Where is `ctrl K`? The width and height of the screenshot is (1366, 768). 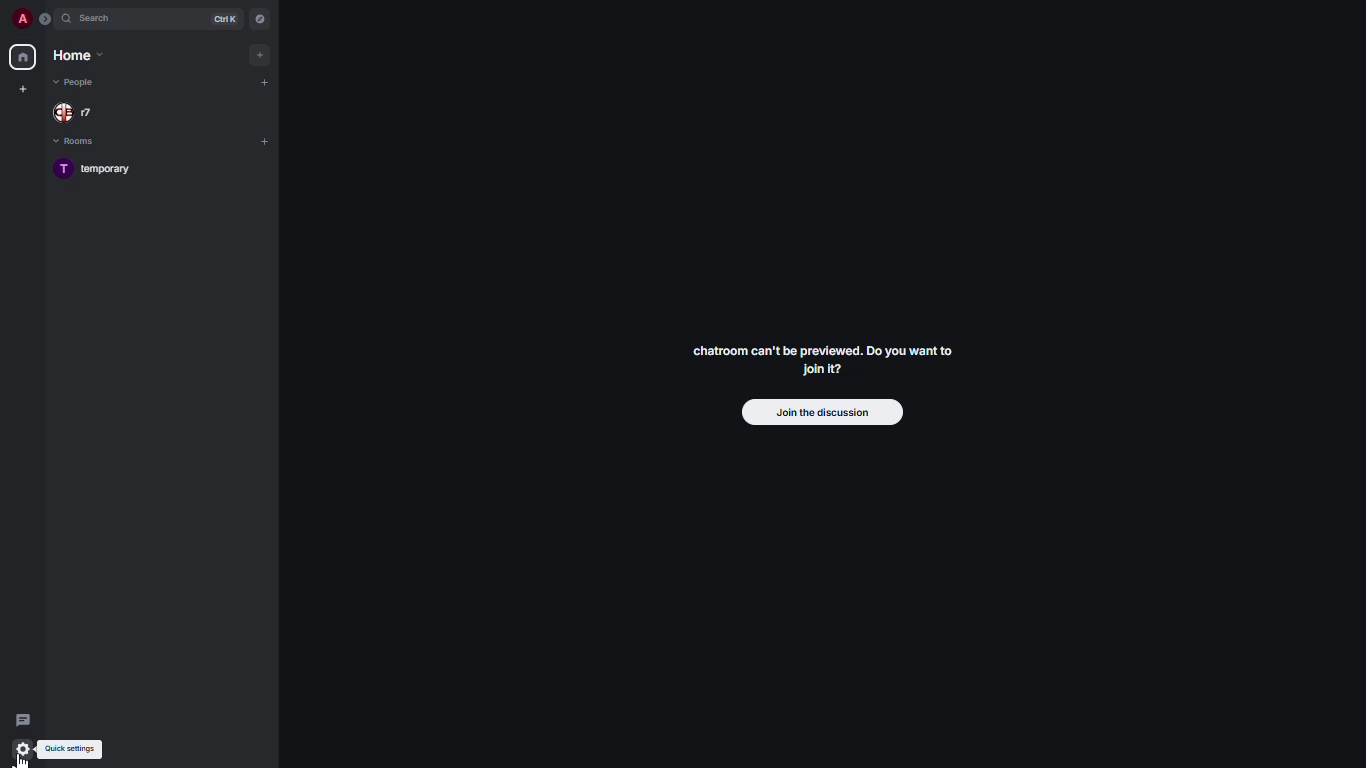
ctrl K is located at coordinates (229, 18).